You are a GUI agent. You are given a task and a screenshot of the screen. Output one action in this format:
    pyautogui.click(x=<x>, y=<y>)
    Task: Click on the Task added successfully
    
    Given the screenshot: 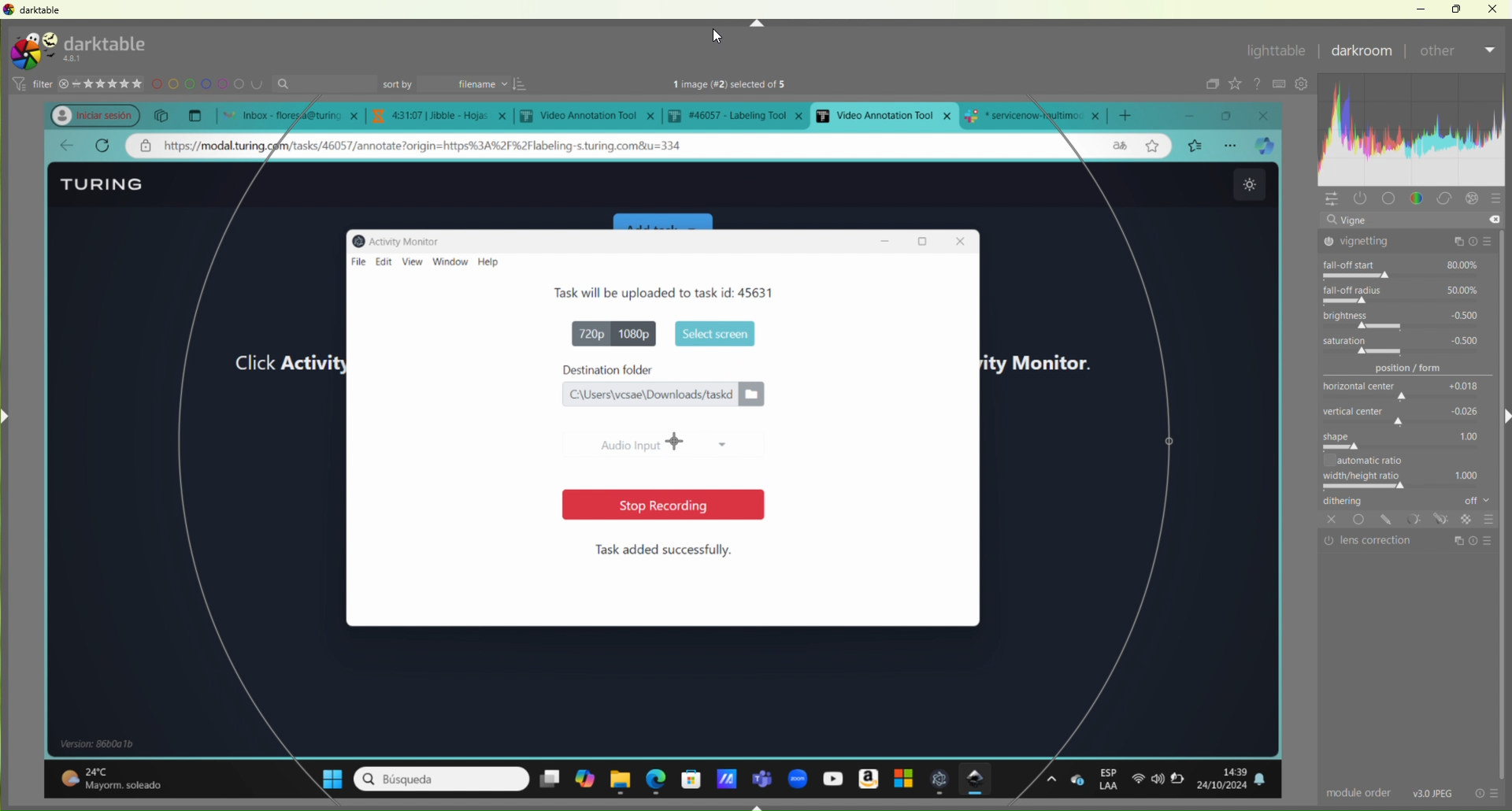 What is the action you would take?
    pyautogui.click(x=665, y=550)
    